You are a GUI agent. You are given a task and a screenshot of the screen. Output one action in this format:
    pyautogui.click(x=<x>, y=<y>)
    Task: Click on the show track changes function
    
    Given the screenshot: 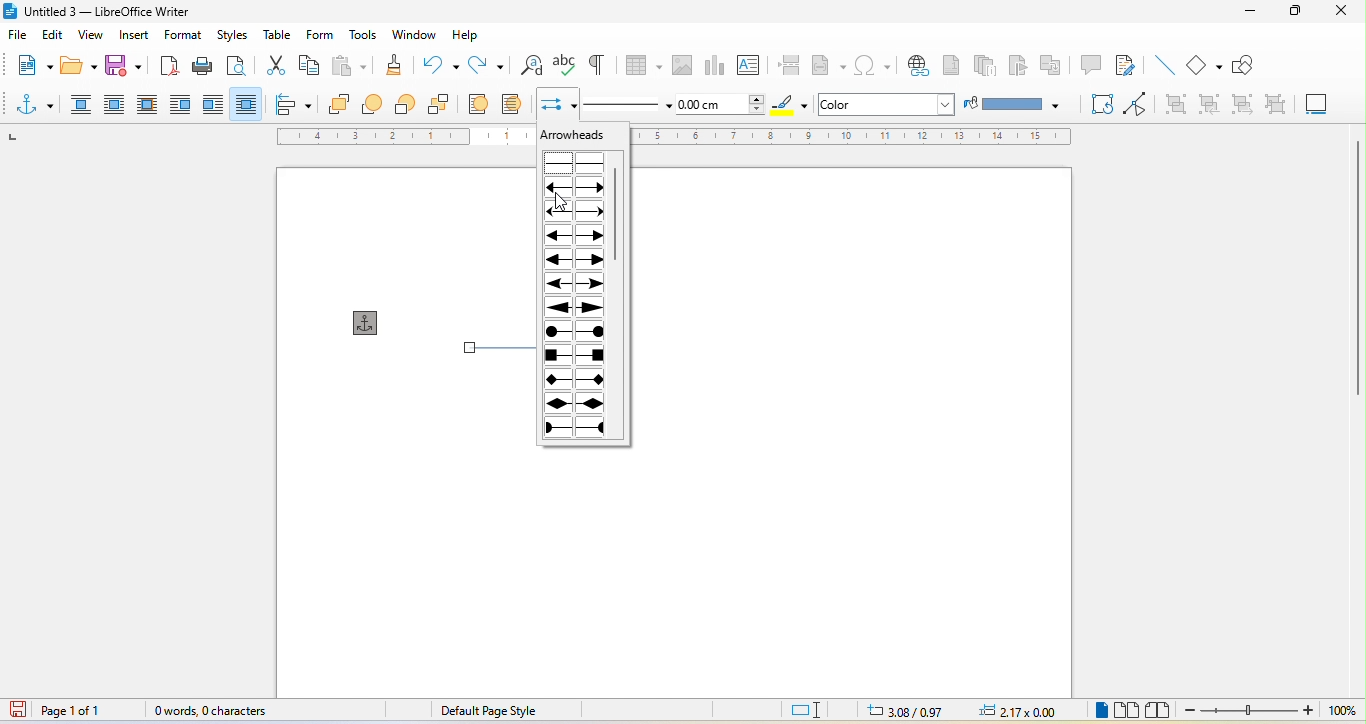 What is the action you would take?
    pyautogui.click(x=1127, y=67)
    